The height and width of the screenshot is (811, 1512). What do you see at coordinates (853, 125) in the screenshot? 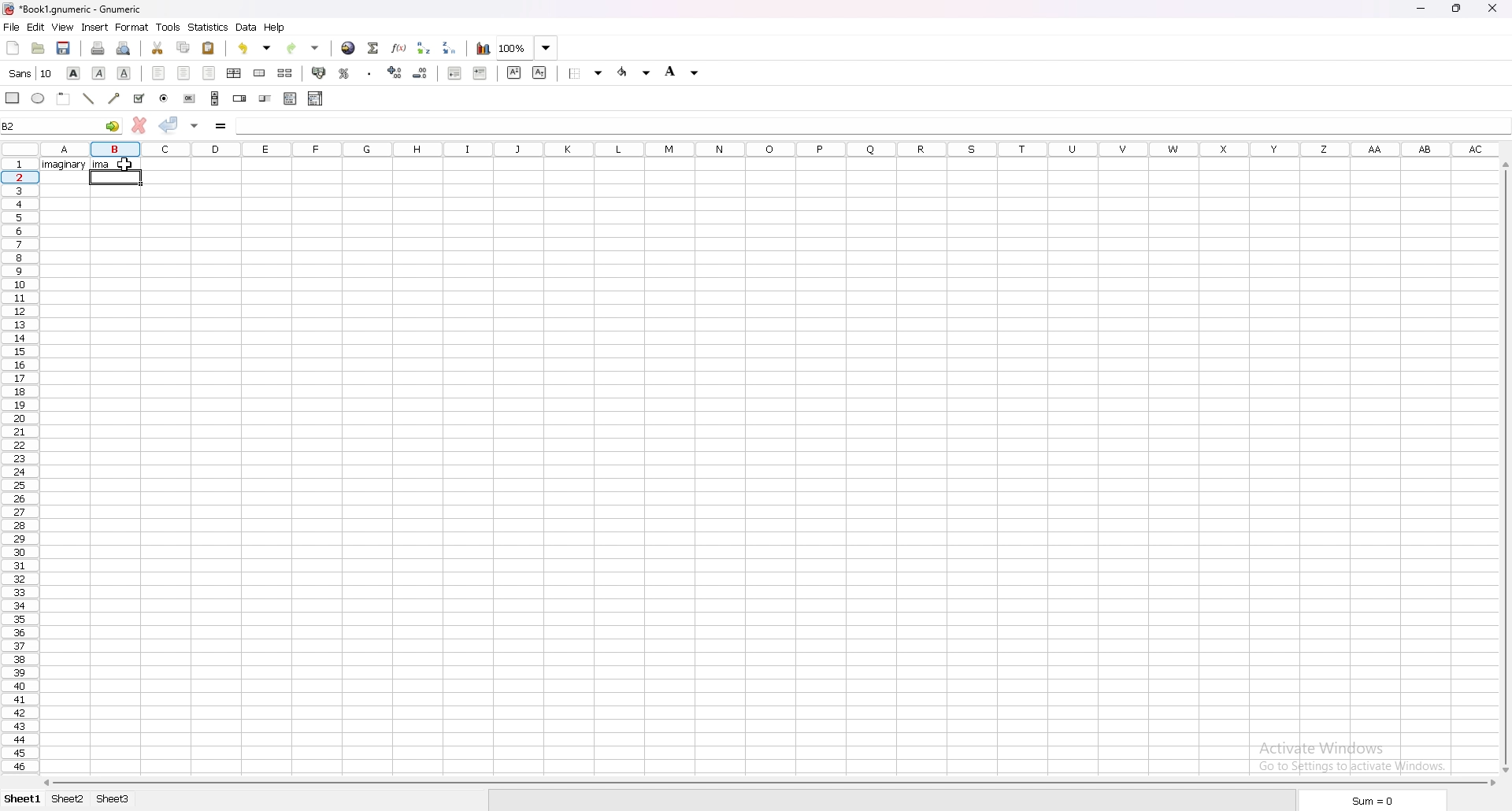
I see `CELL INPUT` at bounding box center [853, 125].